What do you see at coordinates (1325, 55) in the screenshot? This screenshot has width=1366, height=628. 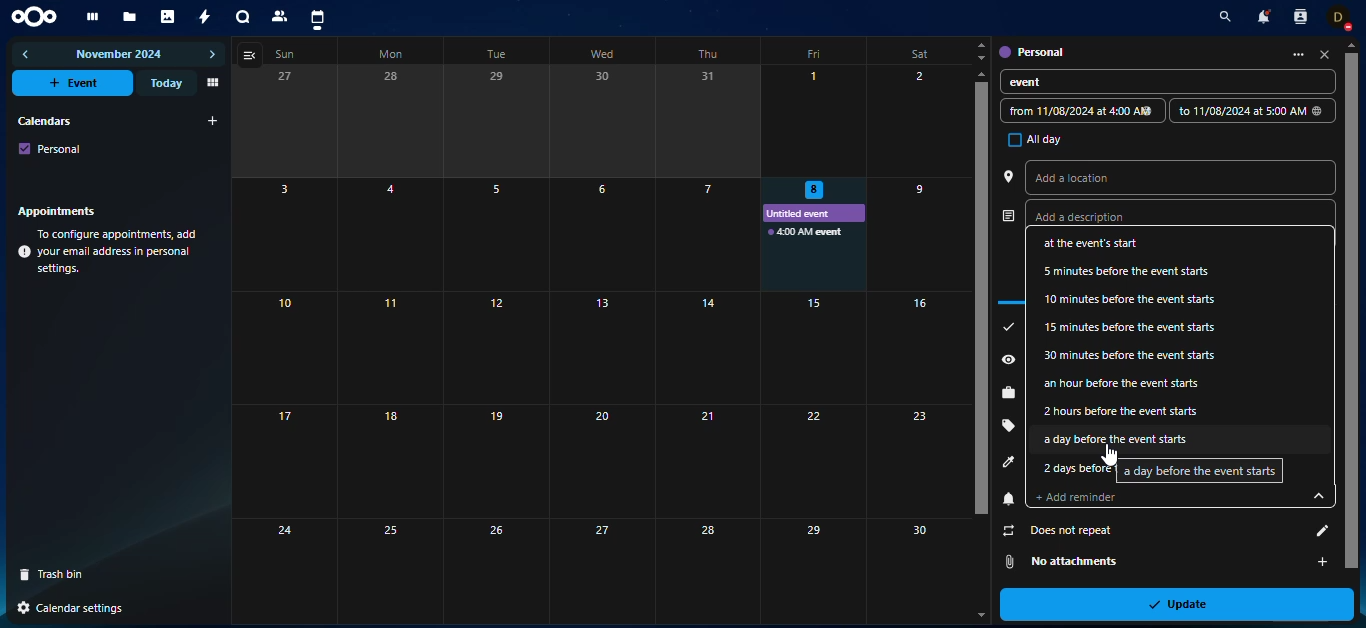 I see `close` at bounding box center [1325, 55].